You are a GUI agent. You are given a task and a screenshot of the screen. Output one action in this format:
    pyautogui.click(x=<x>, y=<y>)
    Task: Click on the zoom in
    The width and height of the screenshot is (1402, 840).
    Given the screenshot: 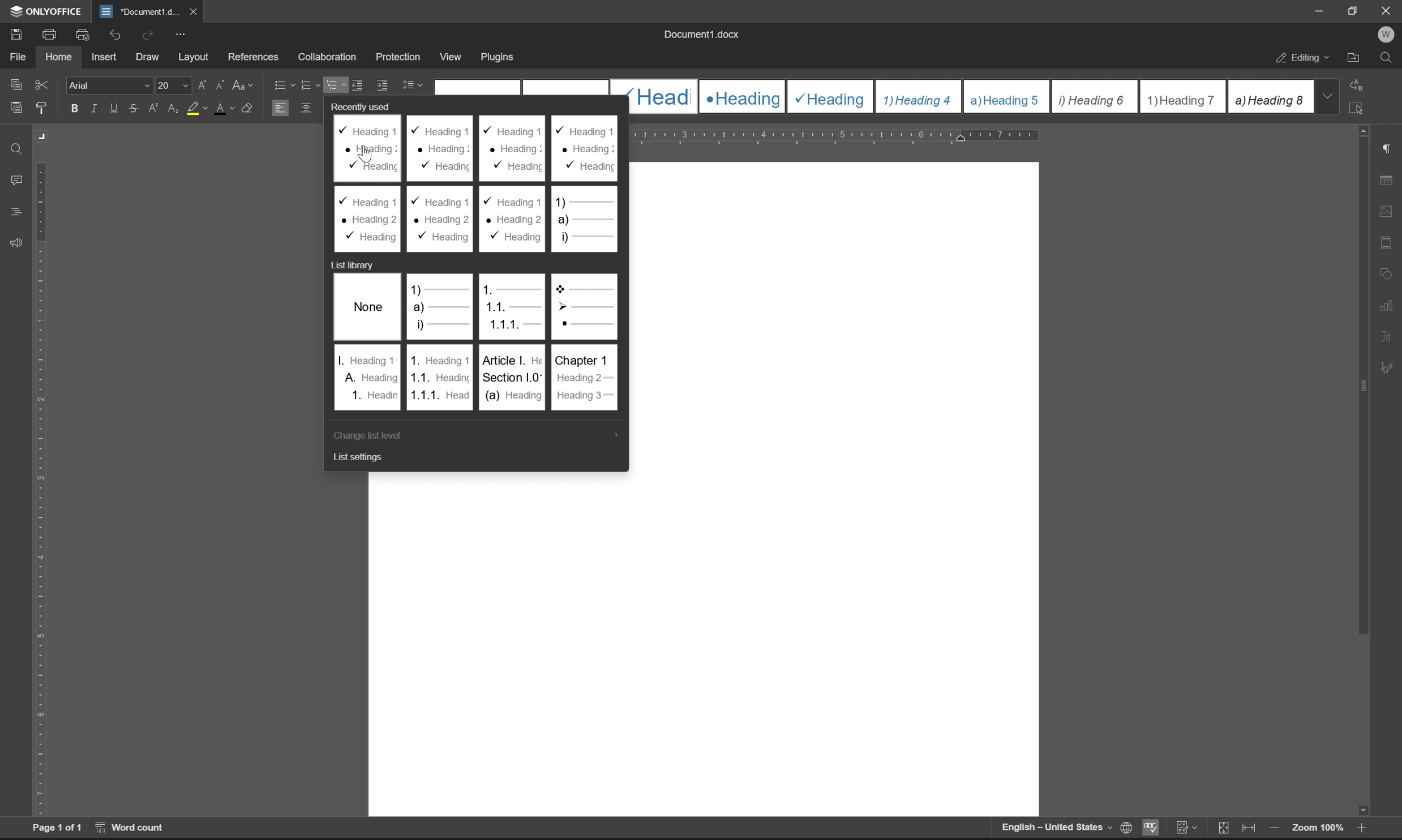 What is the action you would take?
    pyautogui.click(x=1359, y=830)
    